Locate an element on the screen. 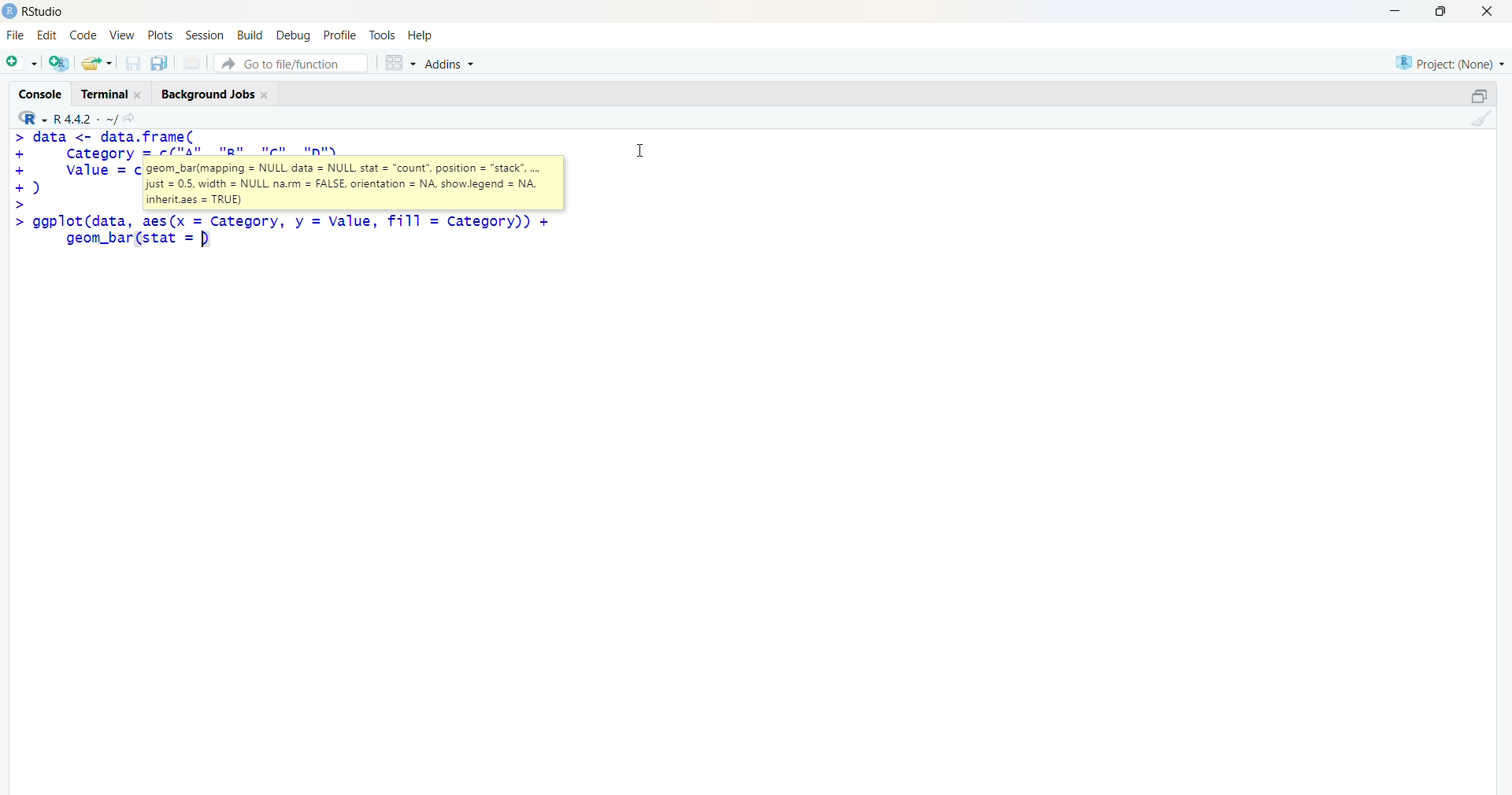  code - > data <- data.frame(+ category = c("A", "B", "Cc", "D"),+ value = c(10 12)© asic>> ggplot(data, aes(x = Category, y = Value, fill = category)) is located at coordinates (295, 190).